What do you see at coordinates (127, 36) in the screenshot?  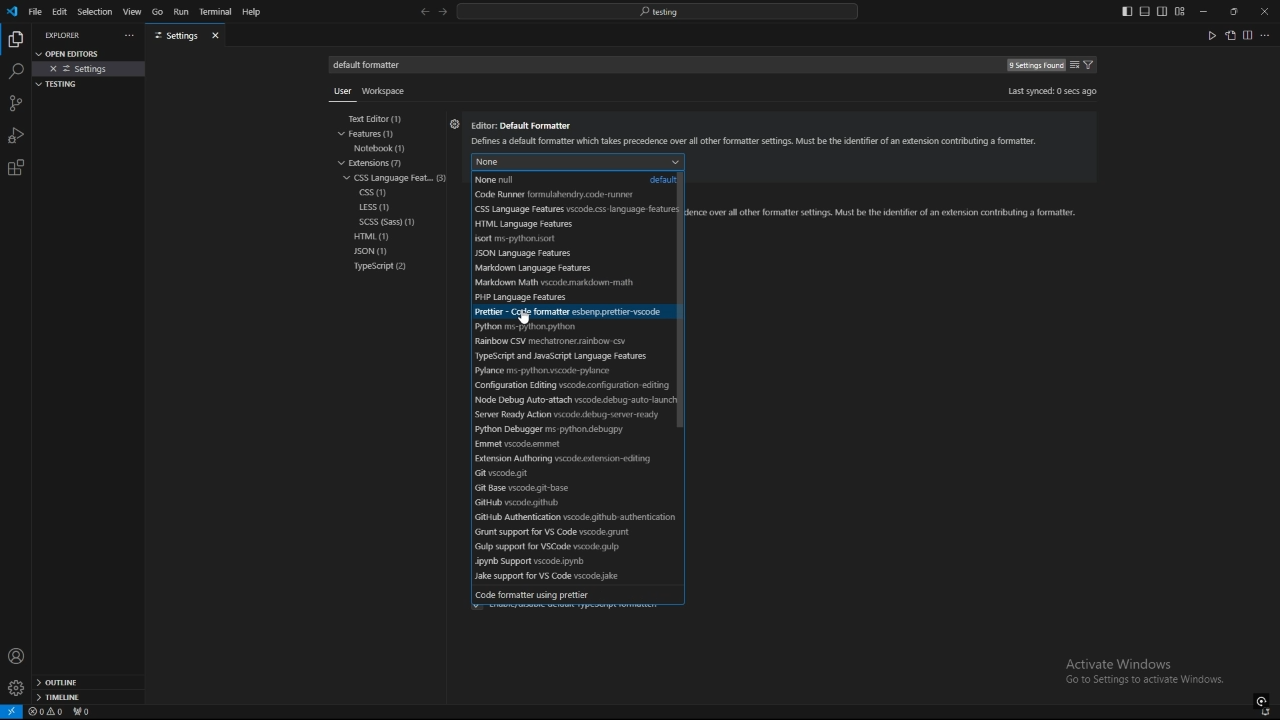 I see `more actions` at bounding box center [127, 36].